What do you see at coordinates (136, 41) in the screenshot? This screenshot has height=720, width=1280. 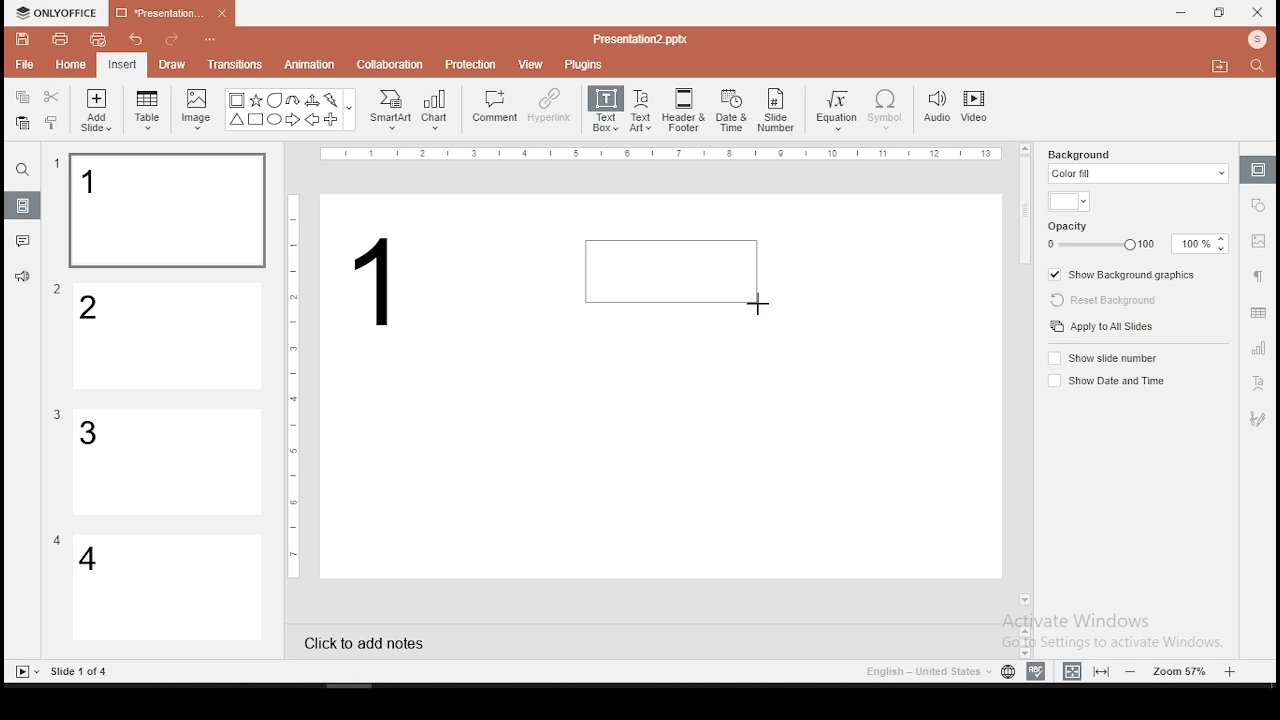 I see `undo` at bounding box center [136, 41].